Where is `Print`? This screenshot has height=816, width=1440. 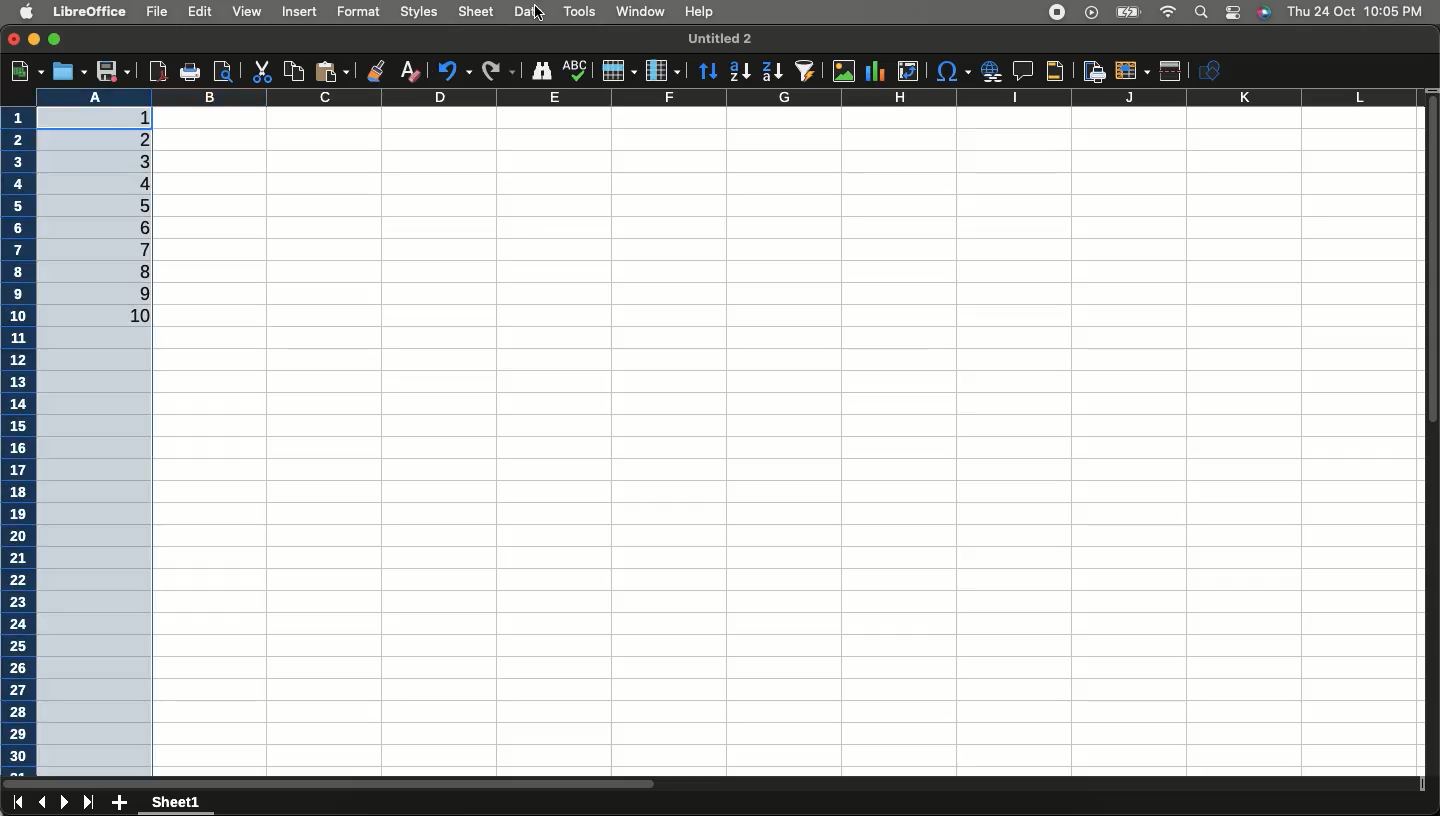
Print is located at coordinates (189, 73).